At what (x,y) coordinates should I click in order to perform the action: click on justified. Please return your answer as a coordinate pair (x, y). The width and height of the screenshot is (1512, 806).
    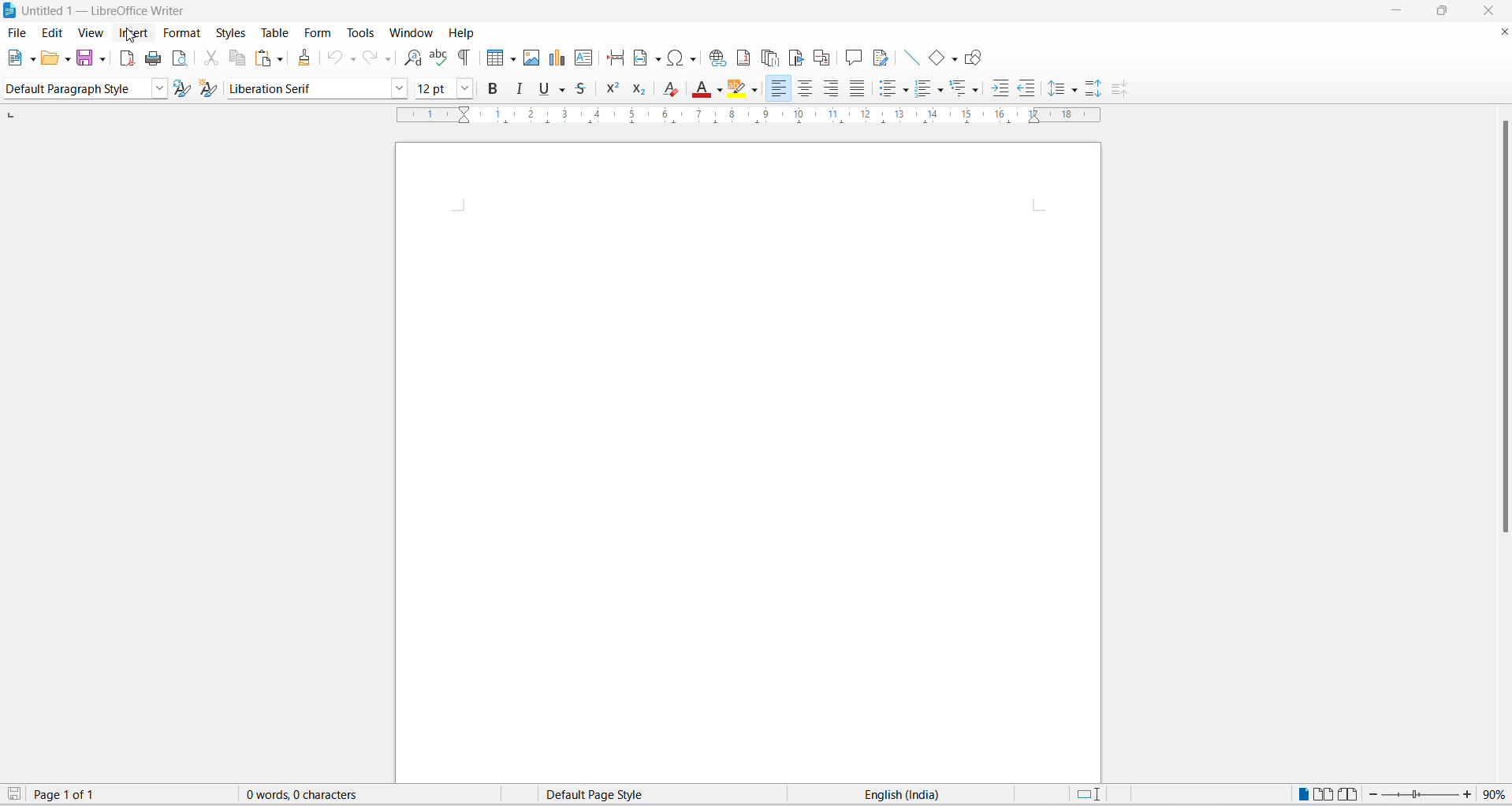
    Looking at the image, I should click on (855, 89).